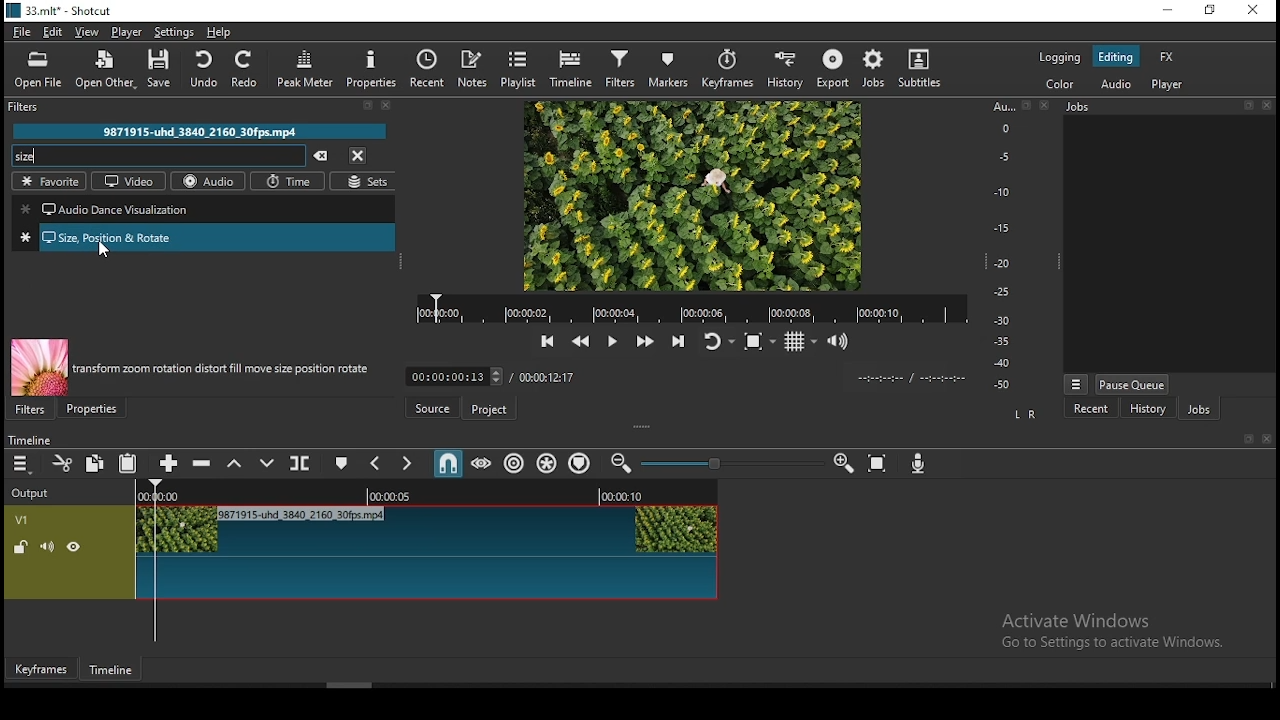  Describe the element at coordinates (325, 156) in the screenshot. I see `clear searches` at that location.